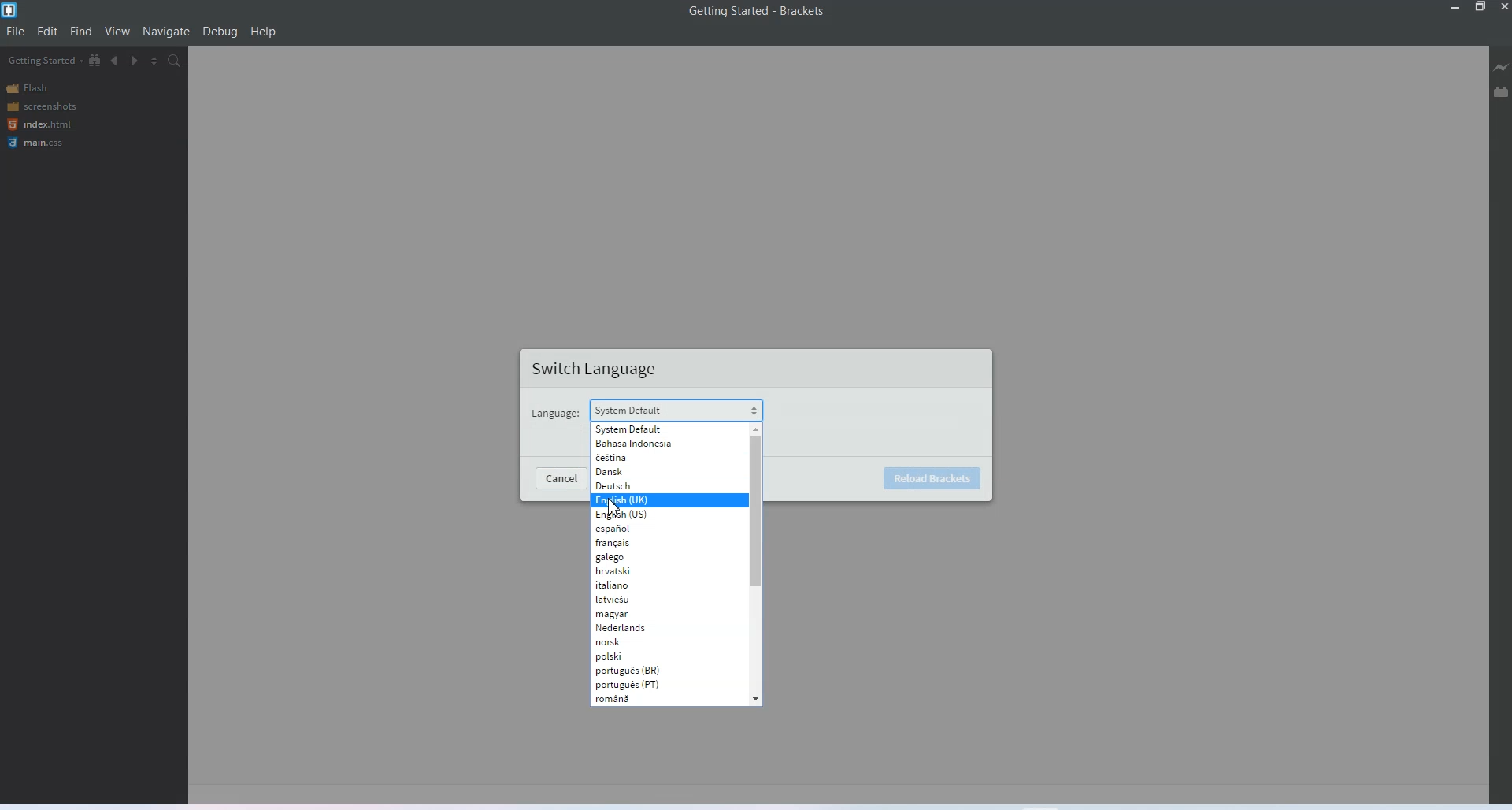 The width and height of the screenshot is (1512, 810). Describe the element at coordinates (41, 106) in the screenshot. I see `Screenshots` at that location.